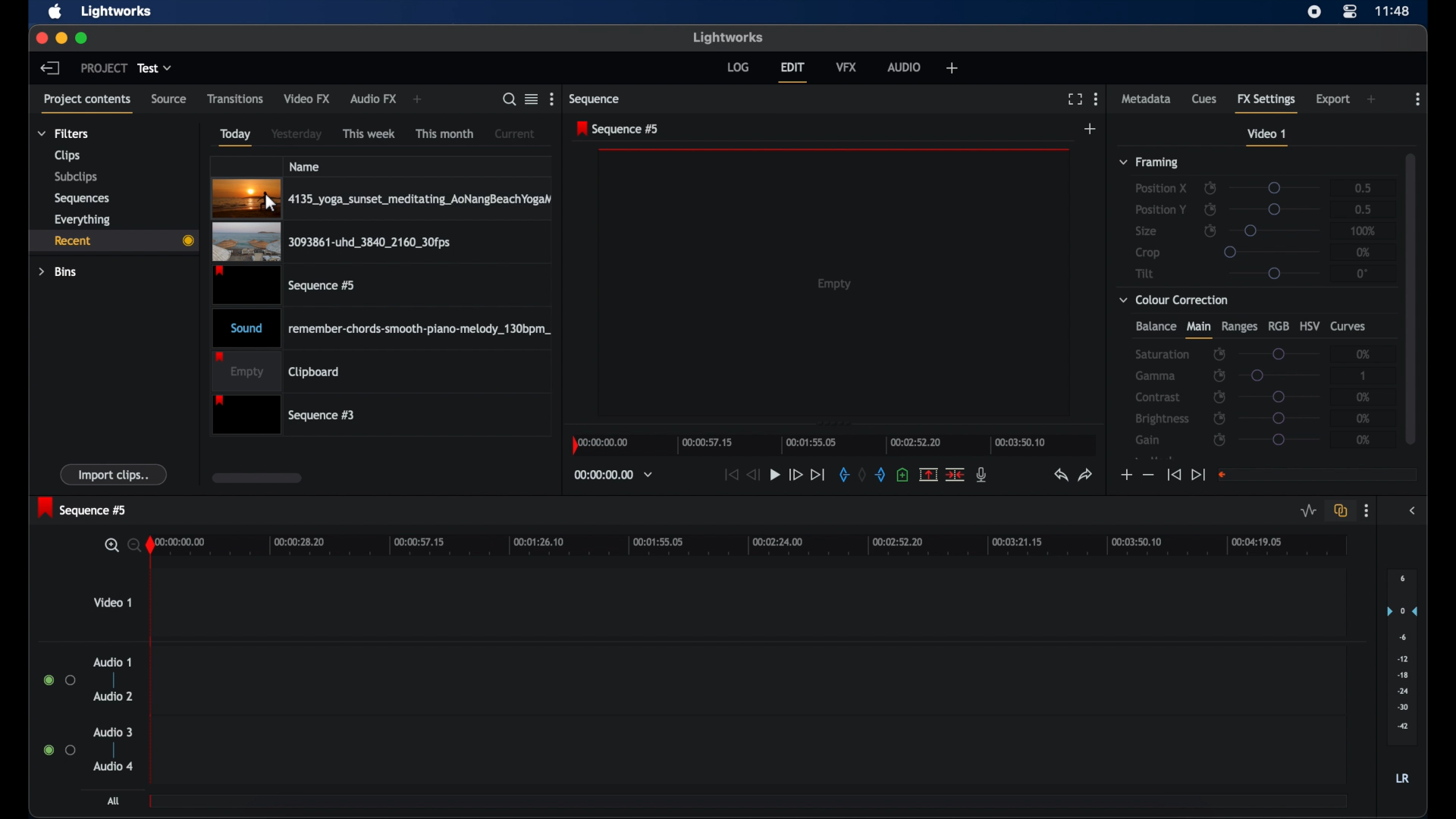  Describe the element at coordinates (112, 602) in the screenshot. I see `video 1` at that location.